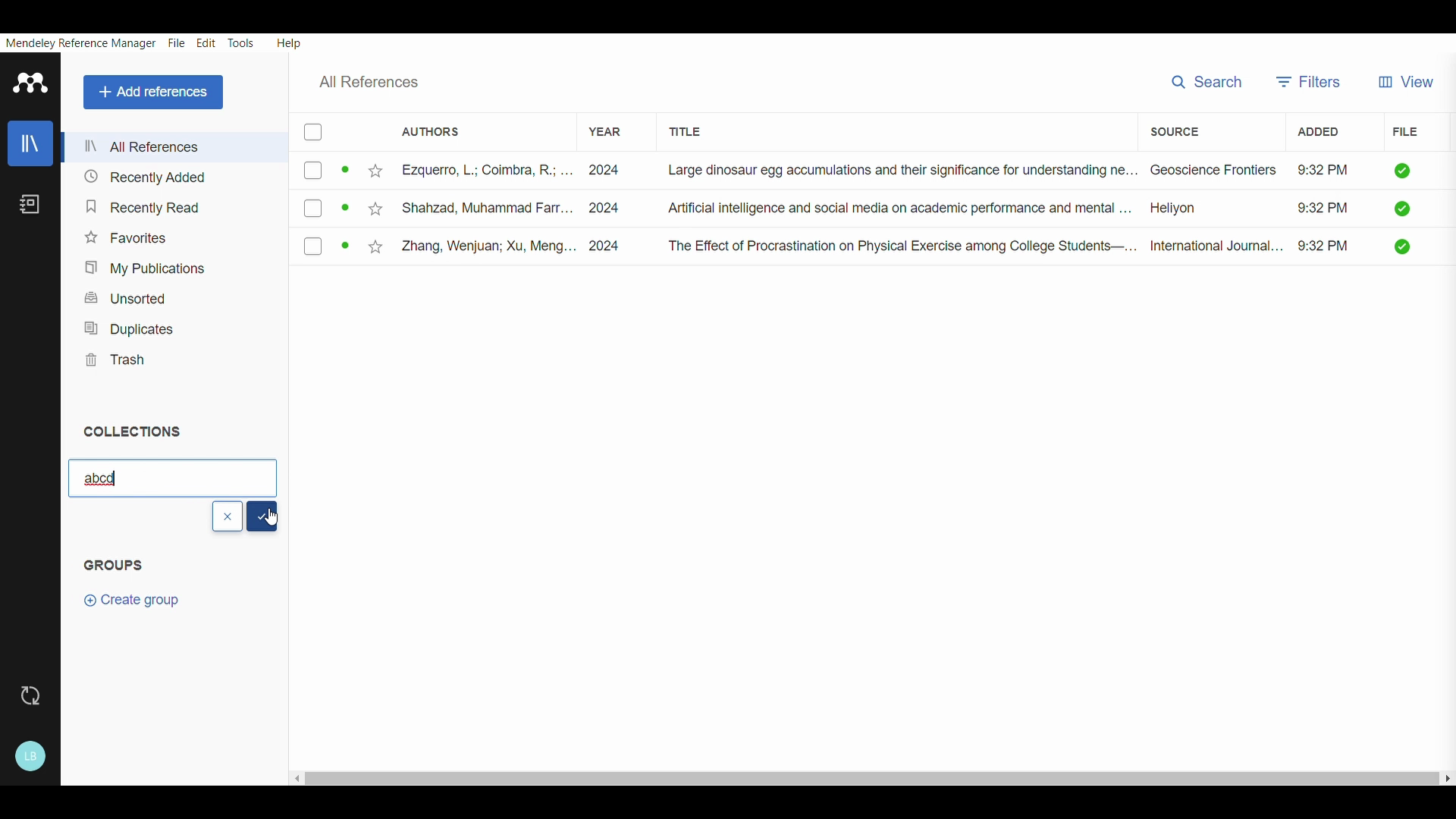 Image resolution: width=1456 pixels, height=819 pixels. I want to click on Scrollbar, so click(869, 774).